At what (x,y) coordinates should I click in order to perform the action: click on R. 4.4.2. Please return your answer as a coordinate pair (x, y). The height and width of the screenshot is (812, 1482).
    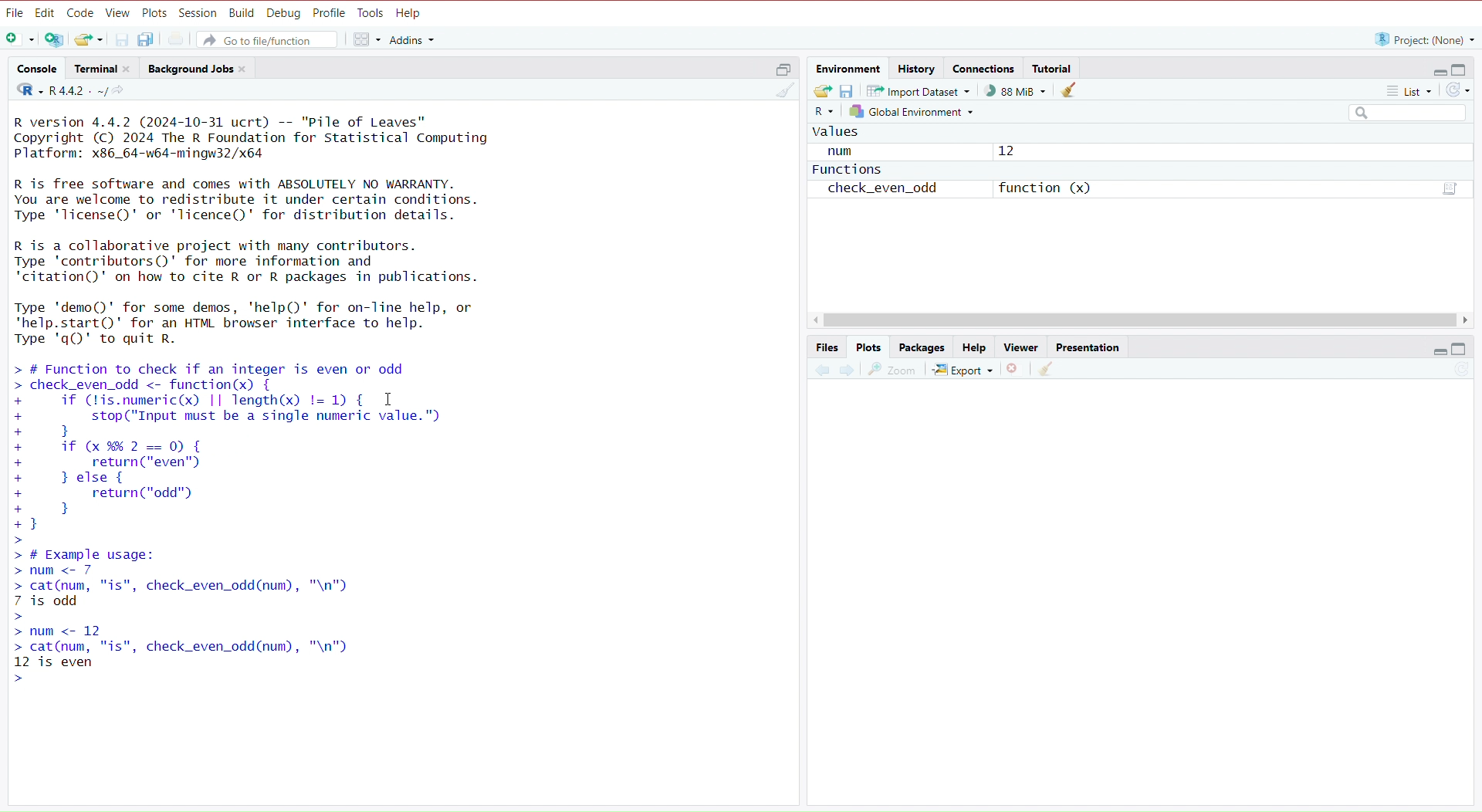
    Looking at the image, I should click on (59, 91).